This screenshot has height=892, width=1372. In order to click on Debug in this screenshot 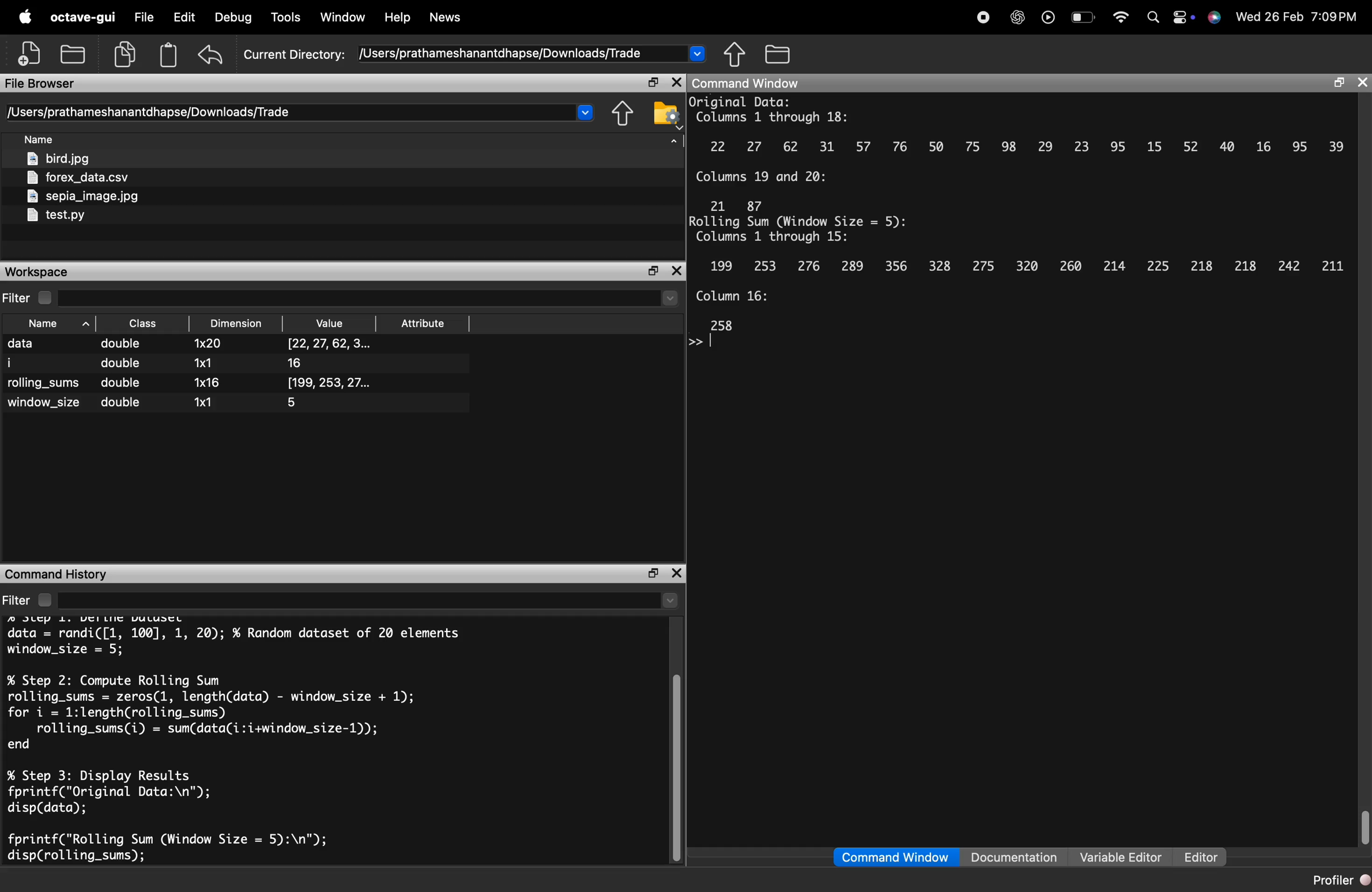, I will do `click(233, 17)`.